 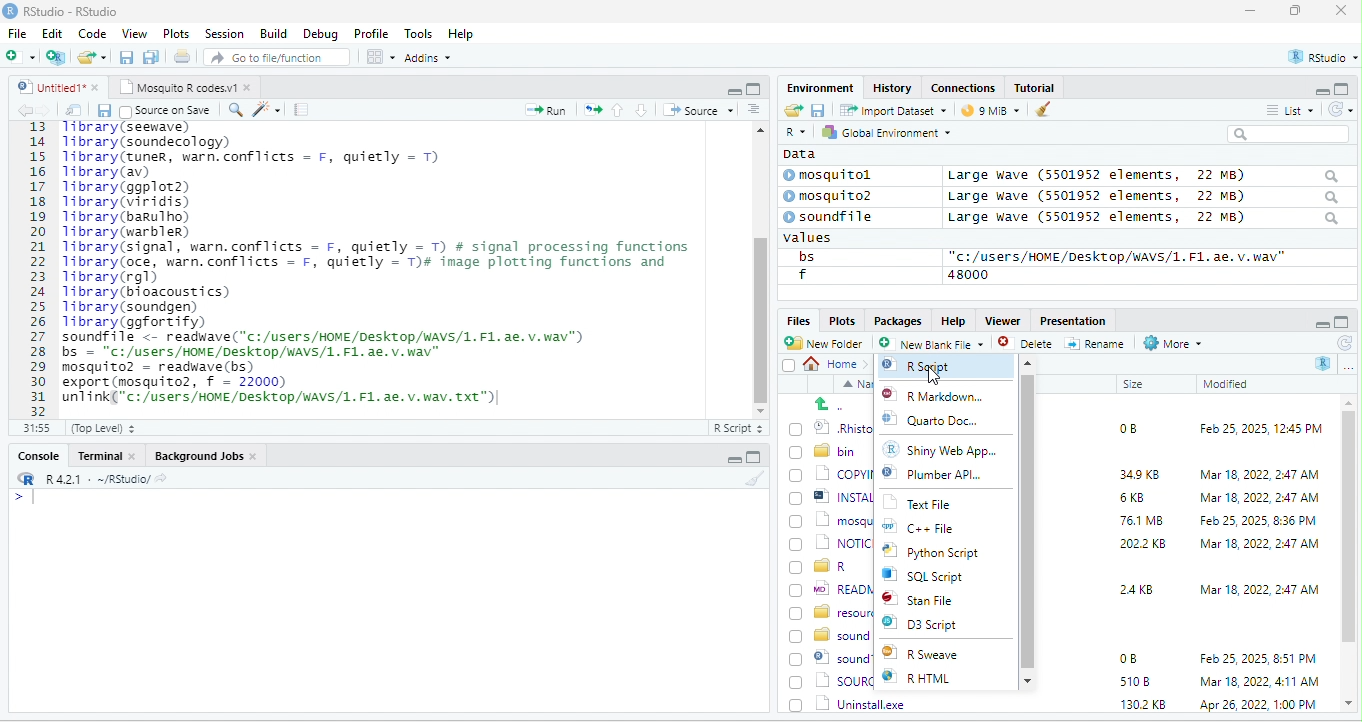 What do you see at coordinates (828, 343) in the screenshot?
I see `New Folder` at bounding box center [828, 343].